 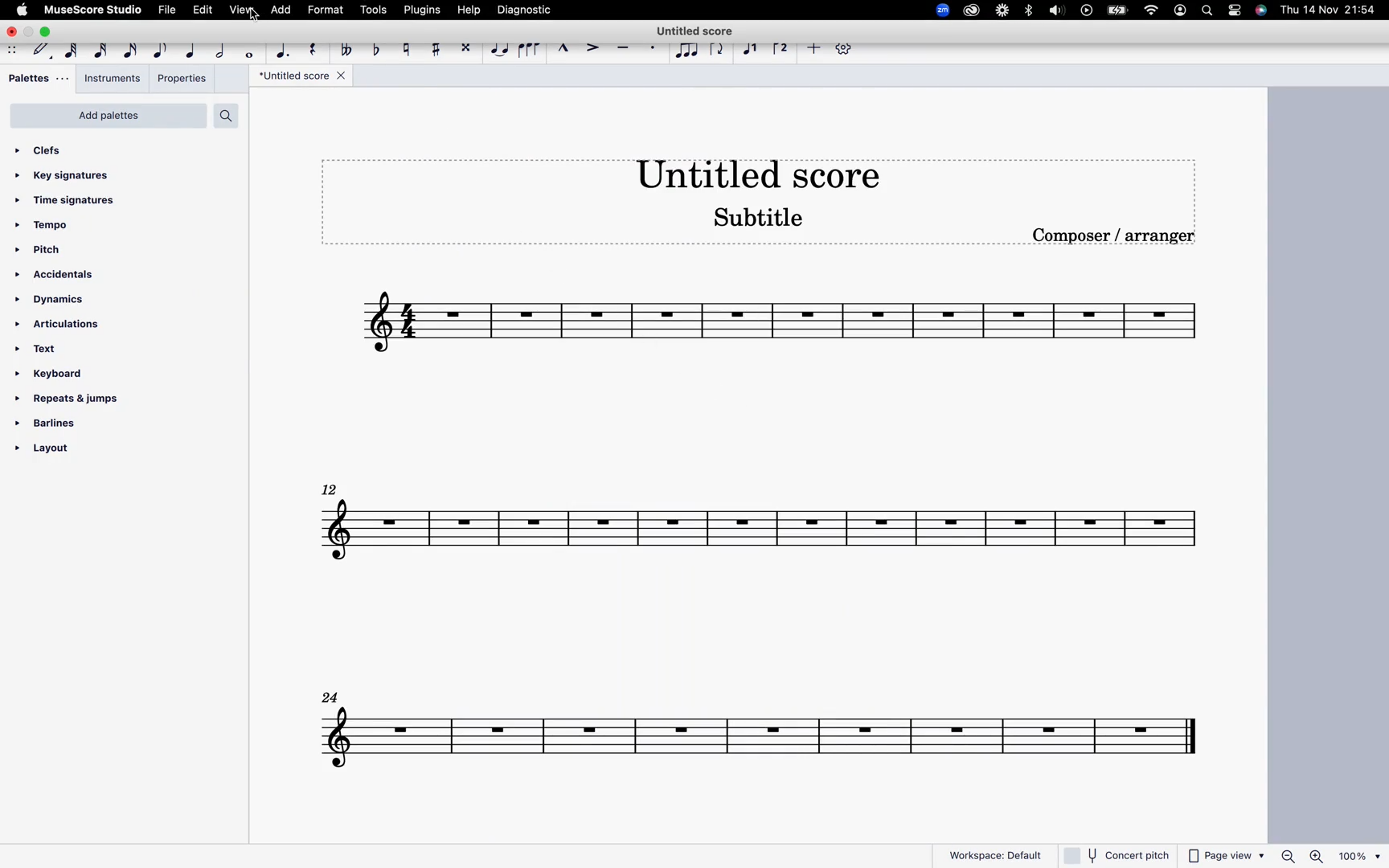 I want to click on edit, so click(x=203, y=10).